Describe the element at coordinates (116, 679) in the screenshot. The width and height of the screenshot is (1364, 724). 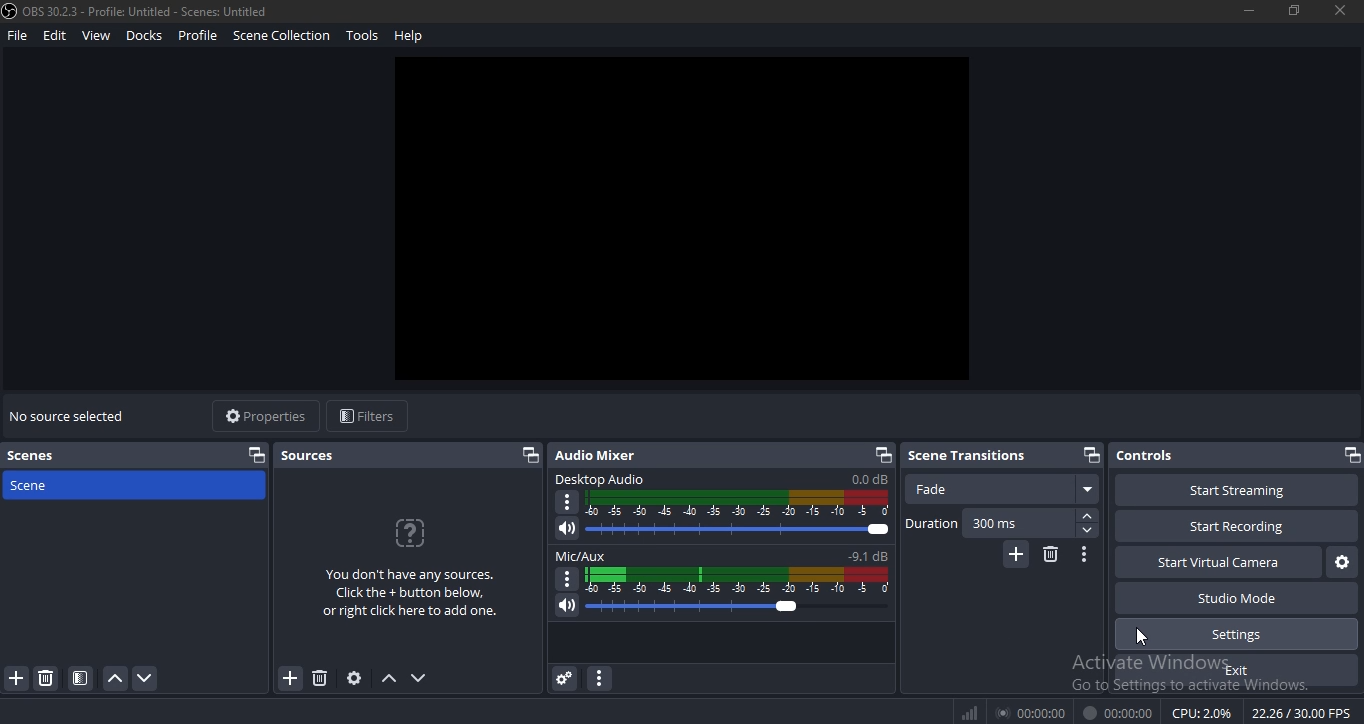
I see `move scene up ` at that location.